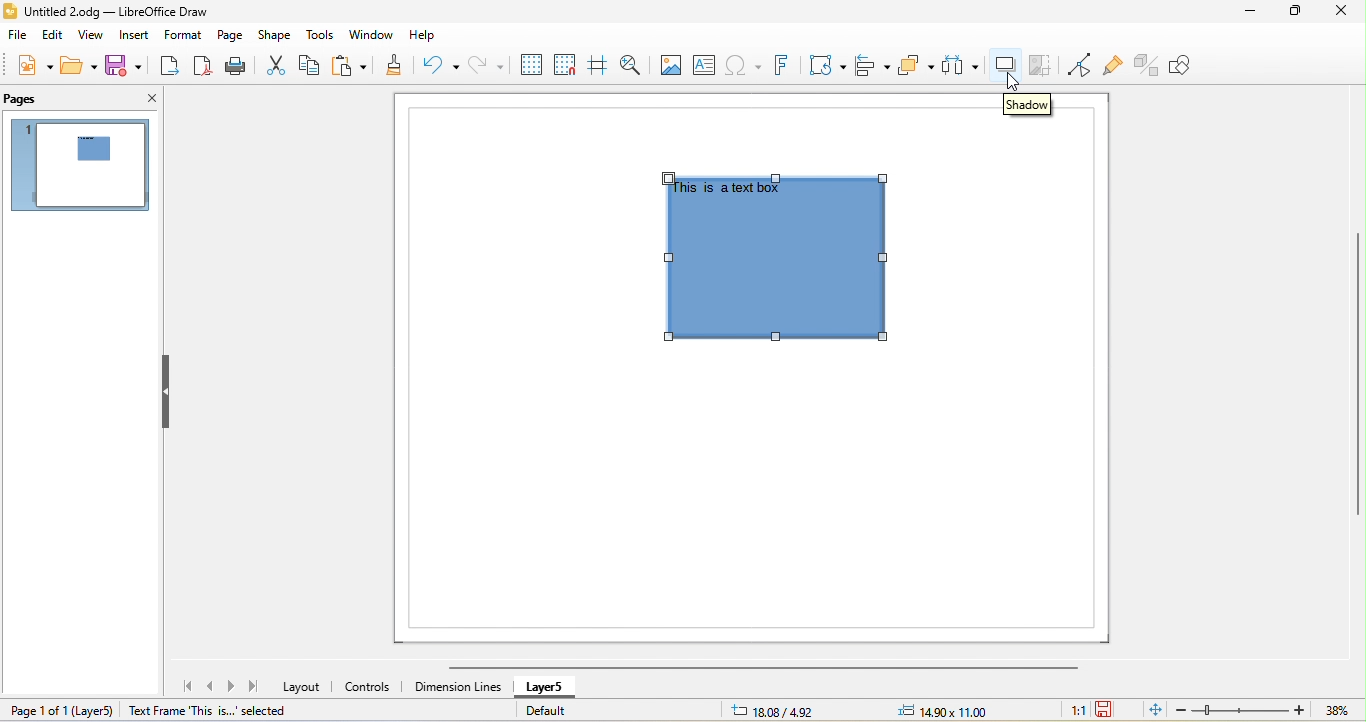 This screenshot has height=722, width=1366. What do you see at coordinates (1257, 12) in the screenshot?
I see `minimize` at bounding box center [1257, 12].